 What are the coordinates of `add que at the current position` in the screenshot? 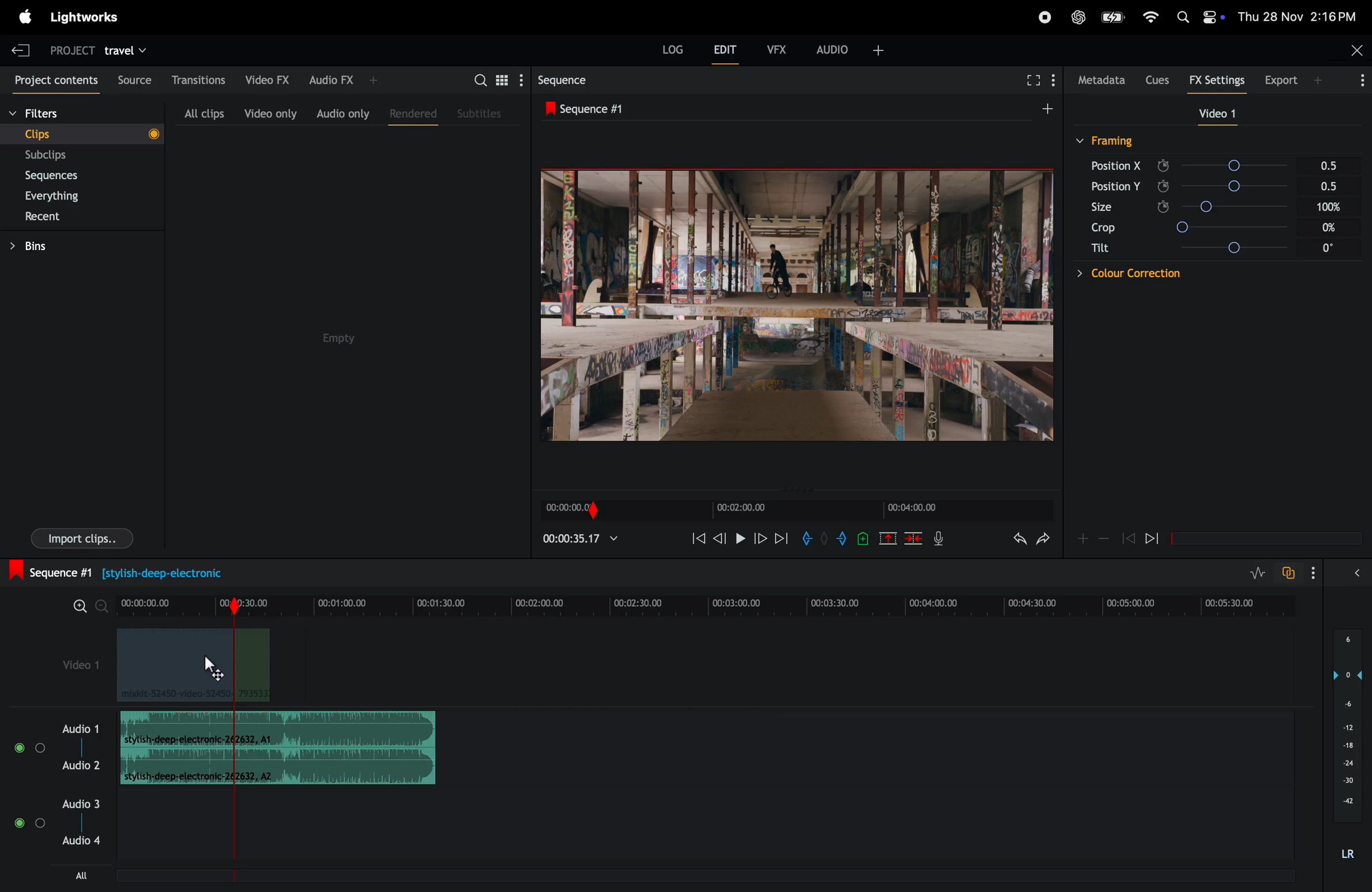 It's located at (864, 538).